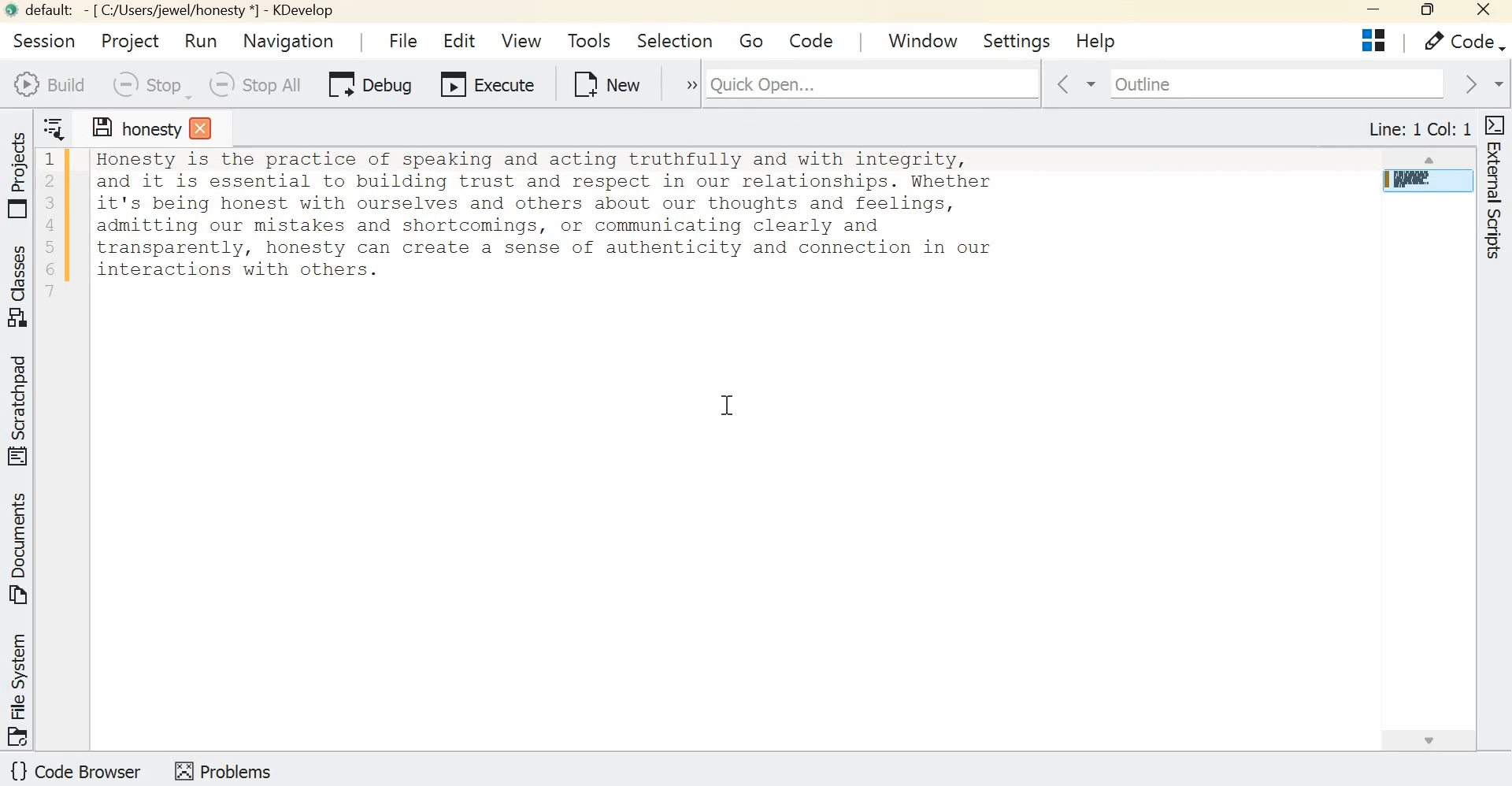 The image size is (1512, 786). Describe the element at coordinates (399, 39) in the screenshot. I see `File` at that location.